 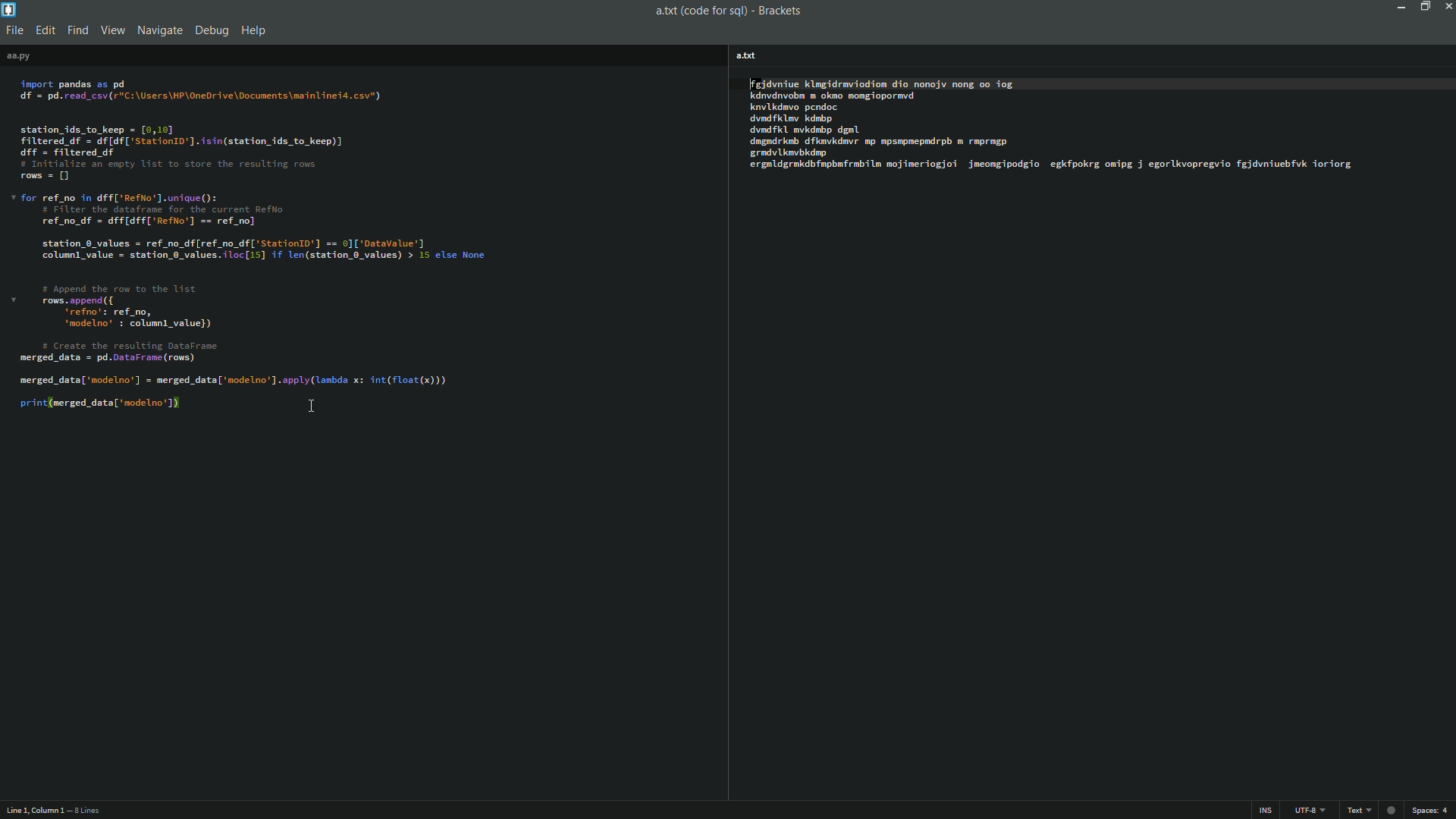 I want to click on python, so click(x=1354, y=810).